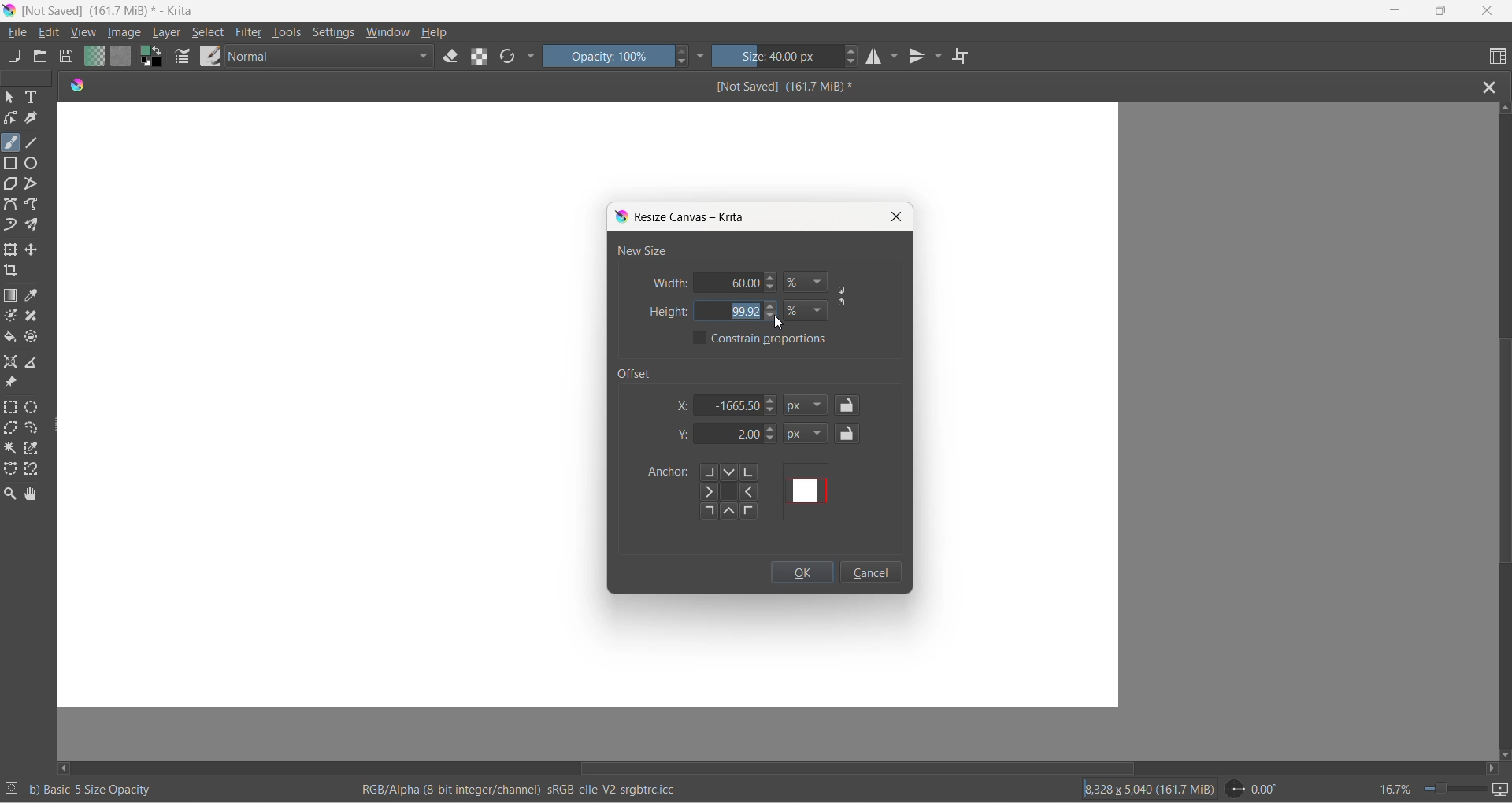  What do you see at coordinates (435, 32) in the screenshot?
I see `help` at bounding box center [435, 32].